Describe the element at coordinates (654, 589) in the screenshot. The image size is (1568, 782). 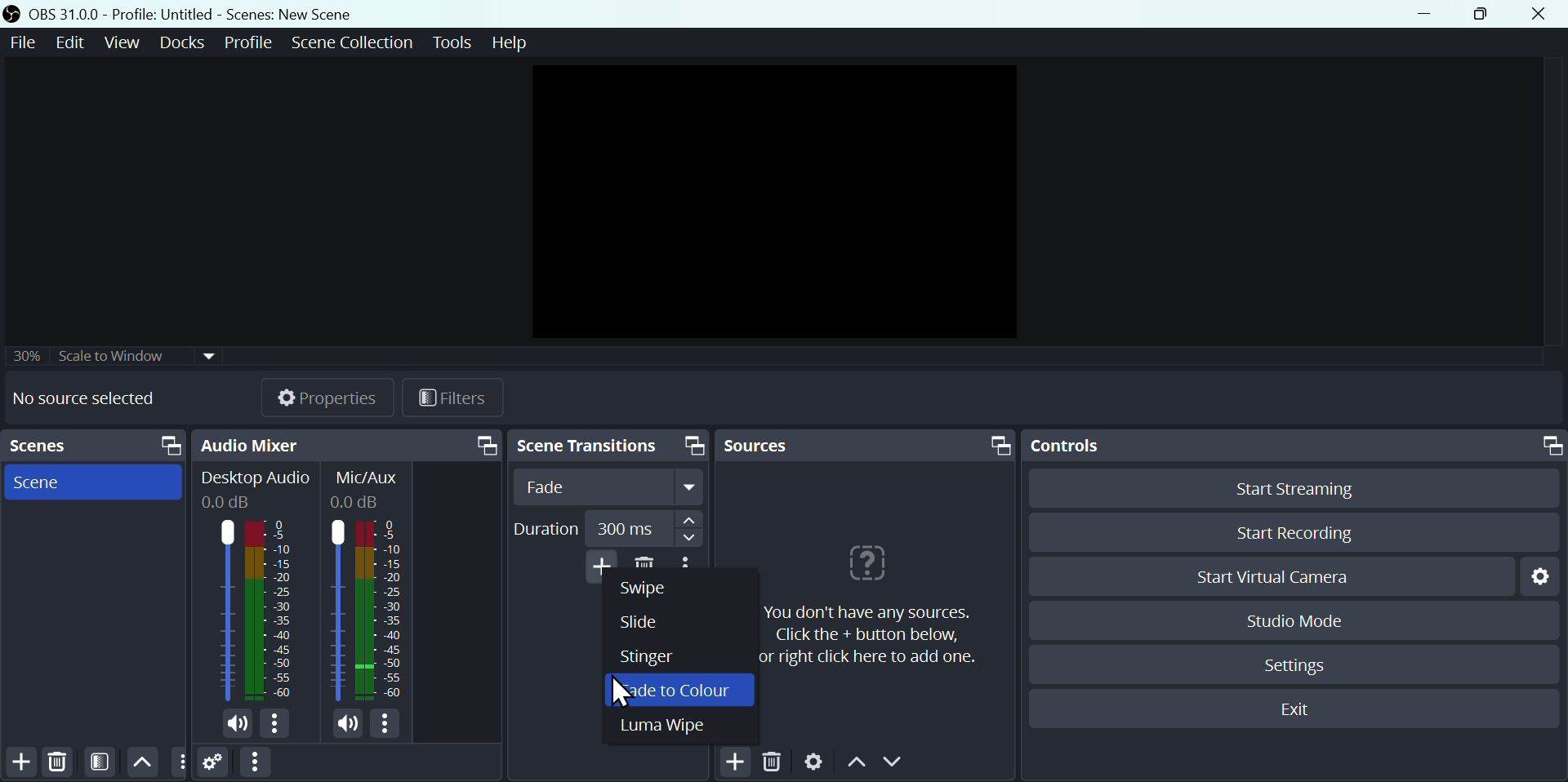
I see `Swipe` at that location.